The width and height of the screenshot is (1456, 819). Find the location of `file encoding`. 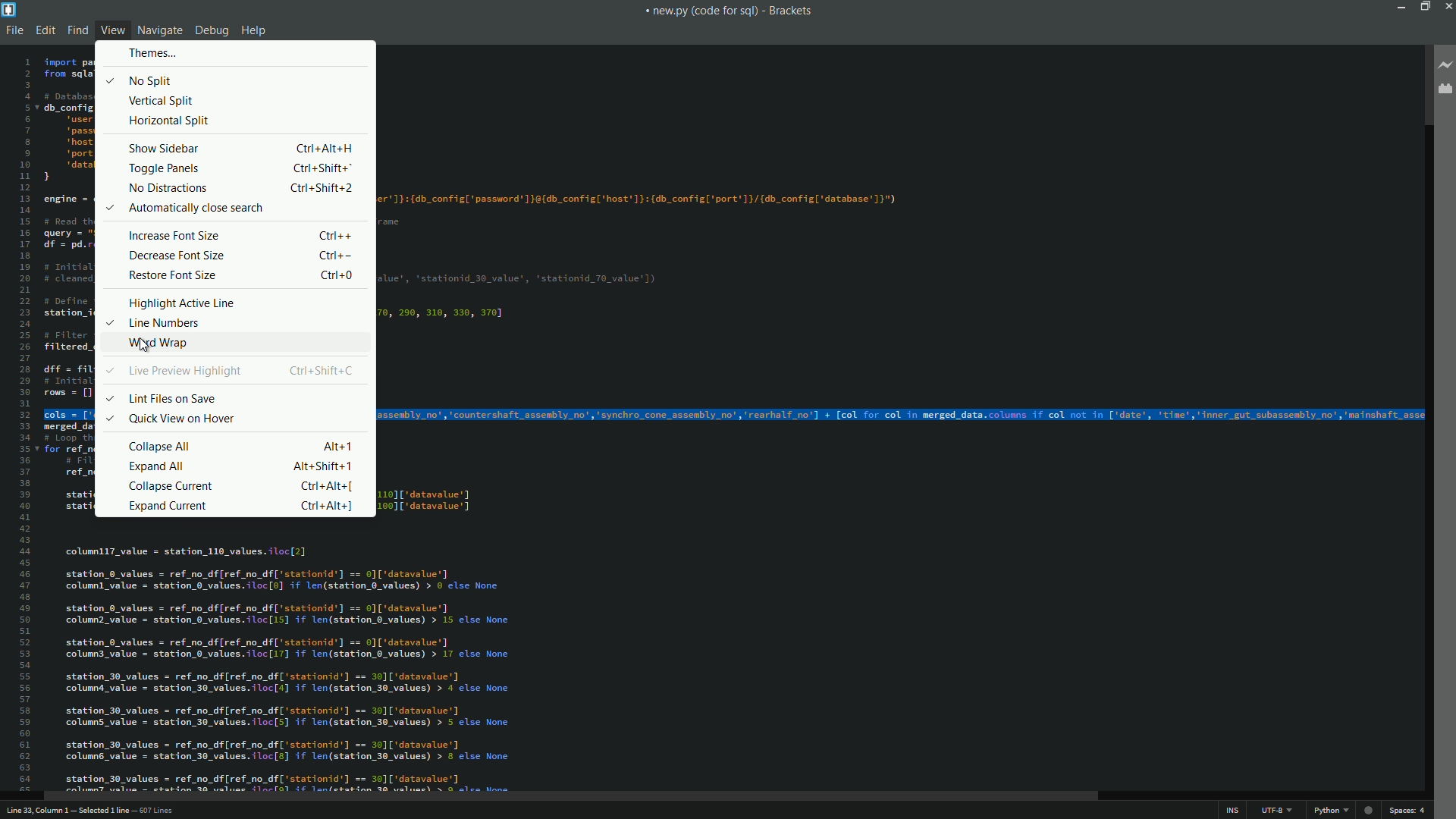

file encoding is located at coordinates (1275, 811).